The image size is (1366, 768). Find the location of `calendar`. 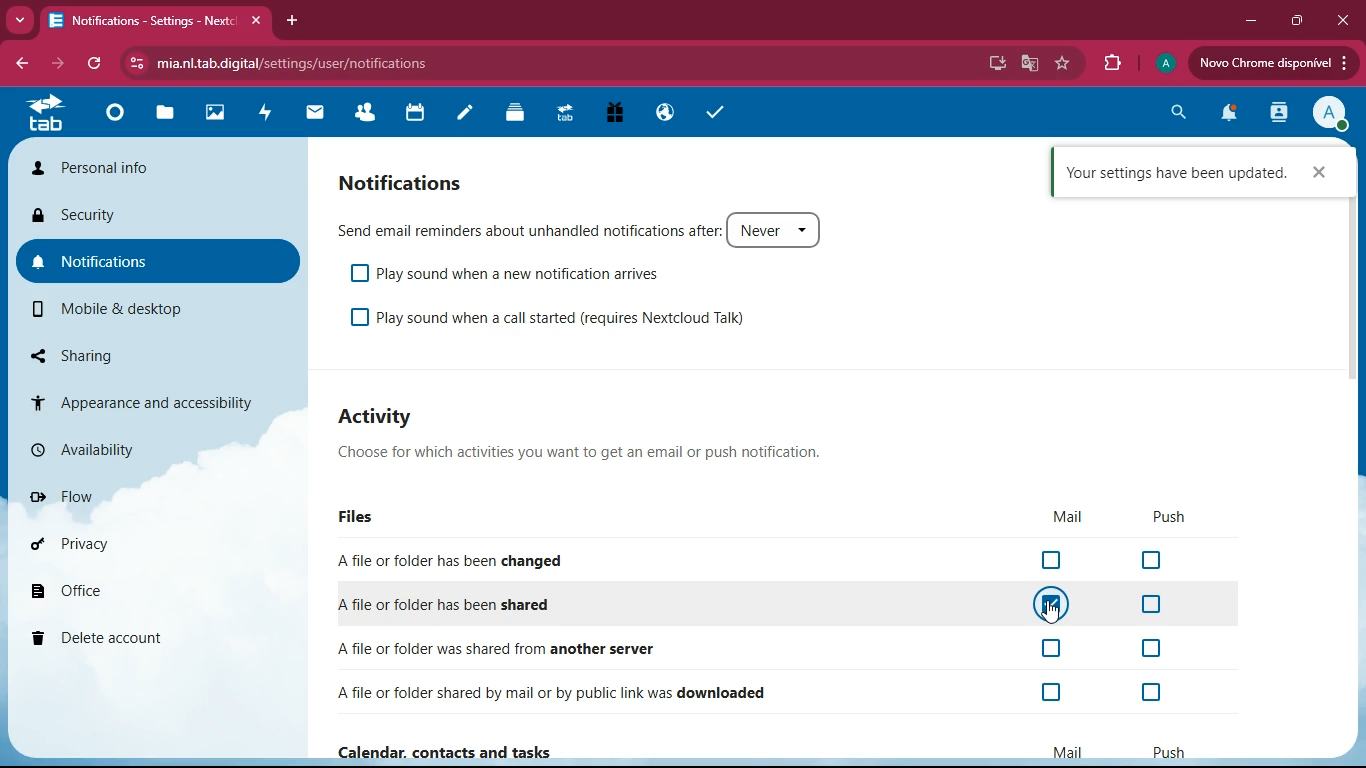

calendar is located at coordinates (412, 116).